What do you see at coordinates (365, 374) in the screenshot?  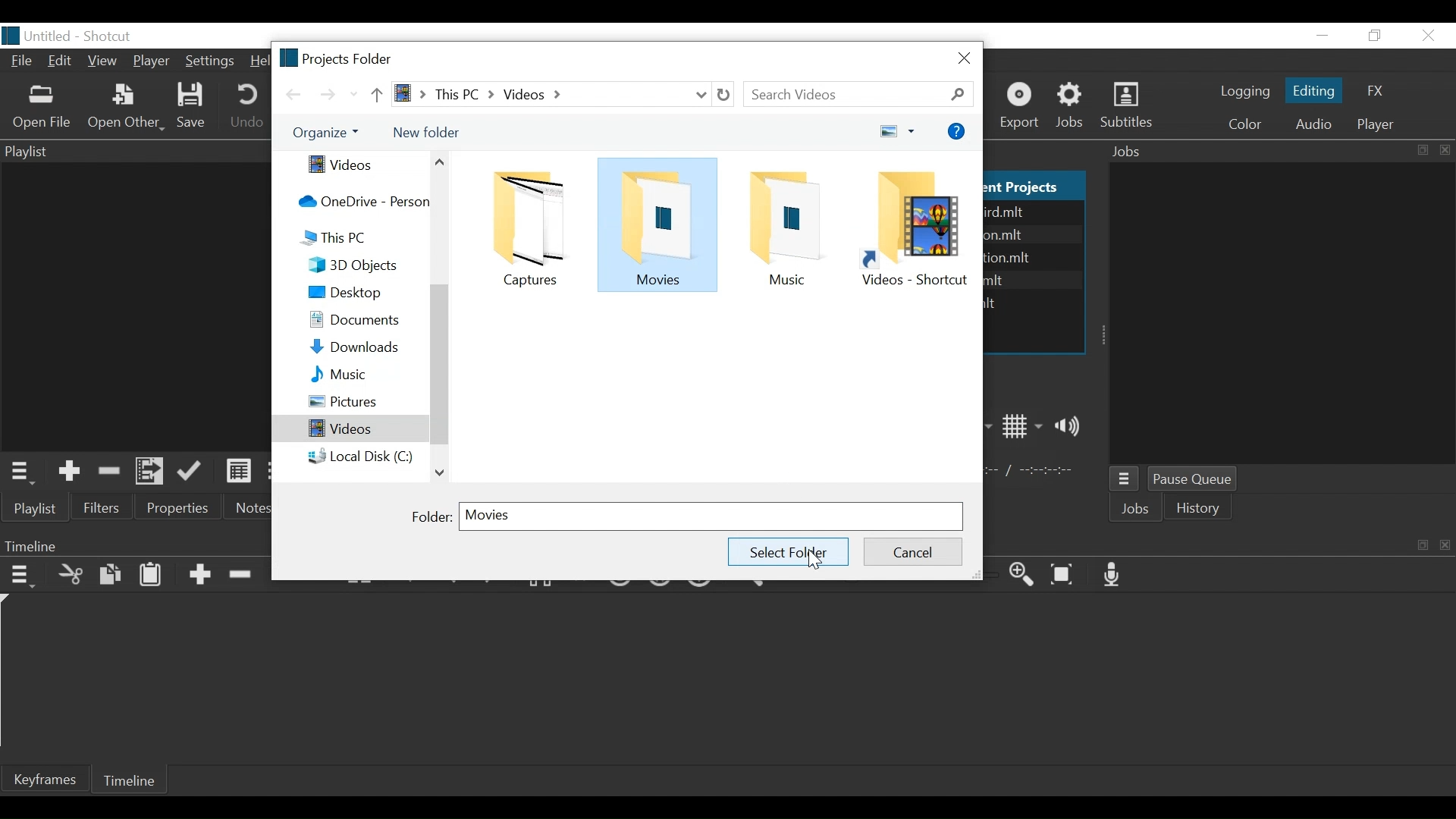 I see `Music` at bounding box center [365, 374].